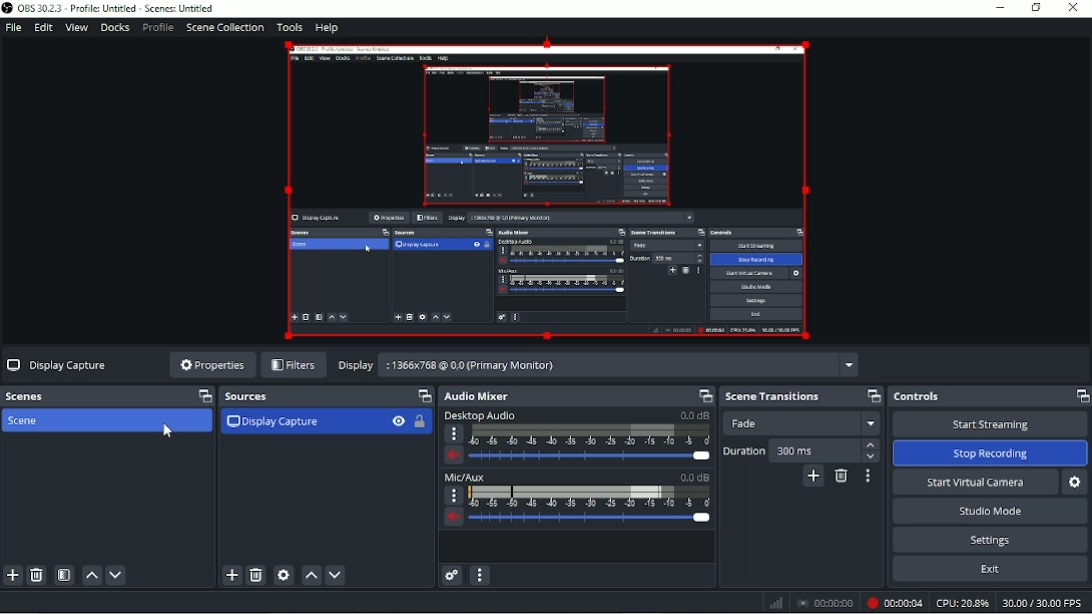 The image size is (1092, 614). Describe the element at coordinates (422, 396) in the screenshot. I see `Maximize` at that location.